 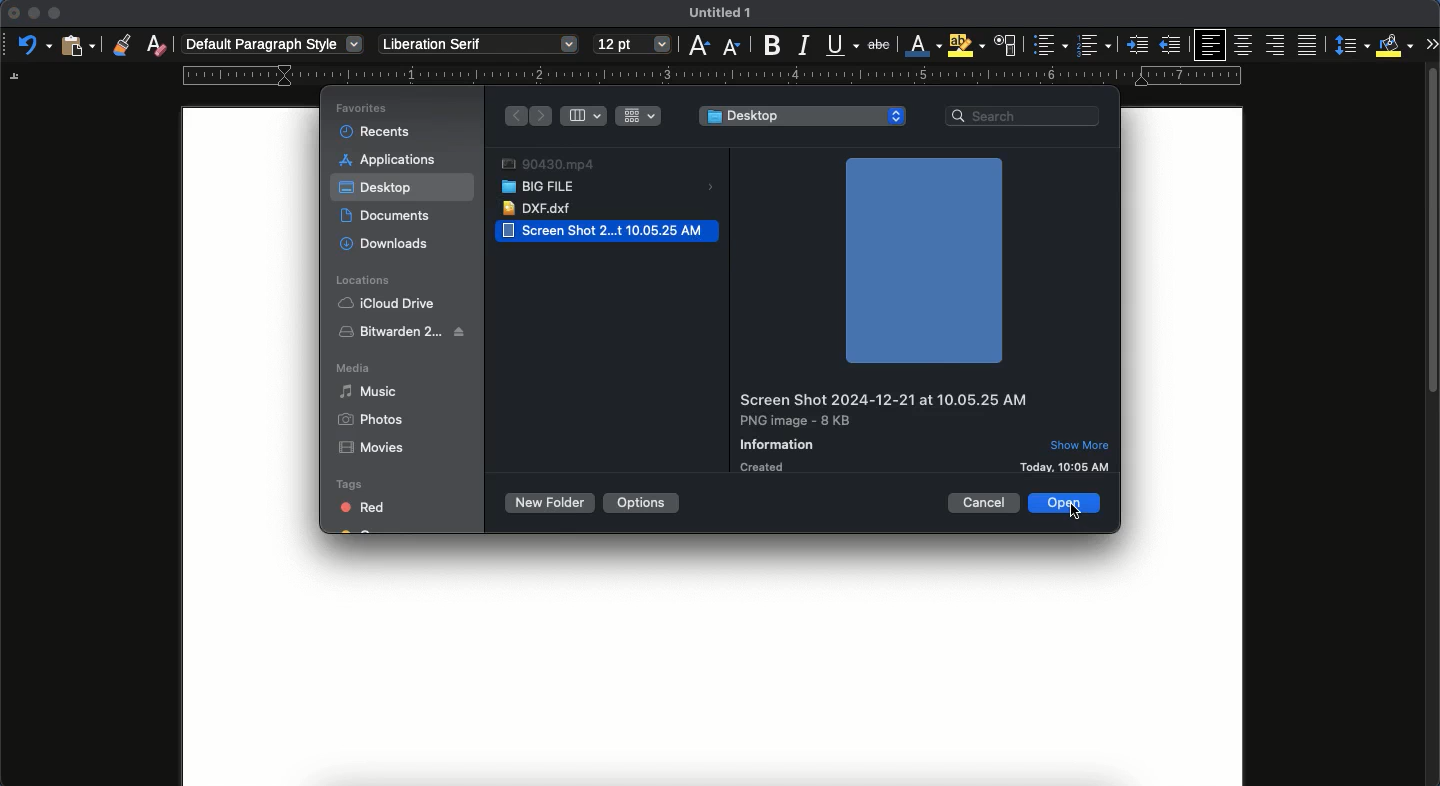 What do you see at coordinates (711, 76) in the screenshot?
I see `guide` at bounding box center [711, 76].